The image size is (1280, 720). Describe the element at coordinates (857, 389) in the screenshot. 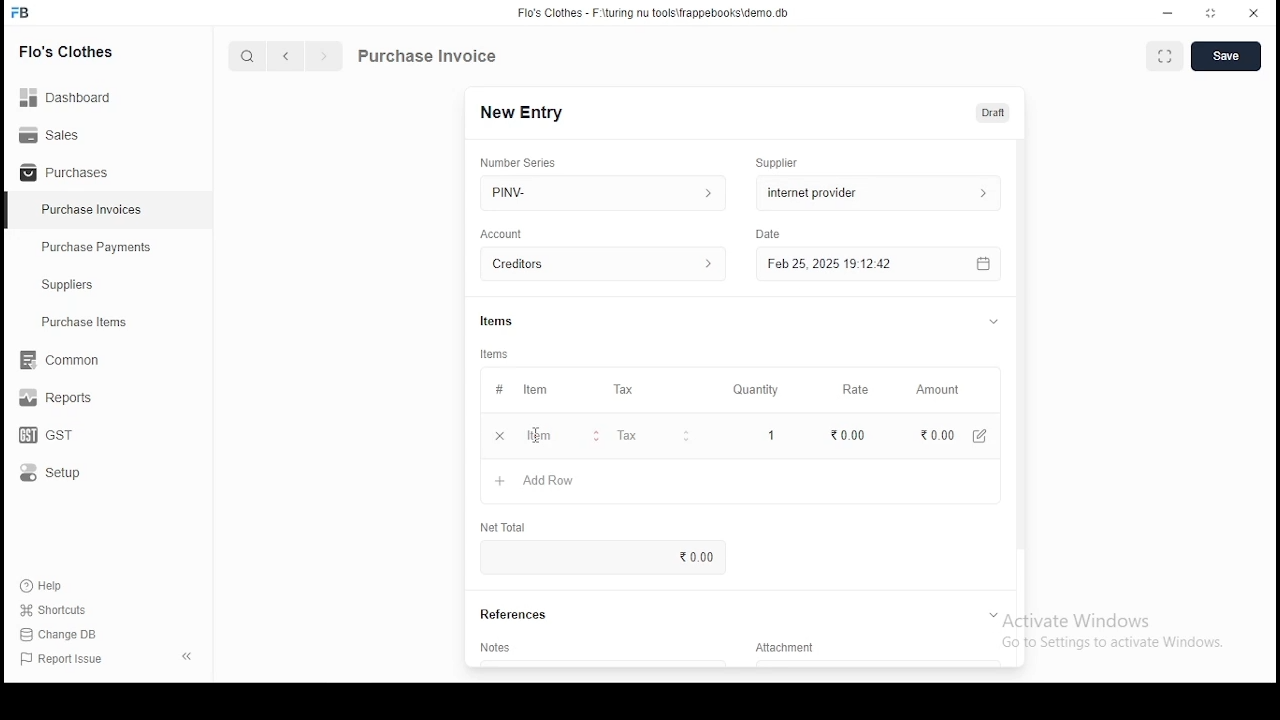

I see `Rate` at that location.